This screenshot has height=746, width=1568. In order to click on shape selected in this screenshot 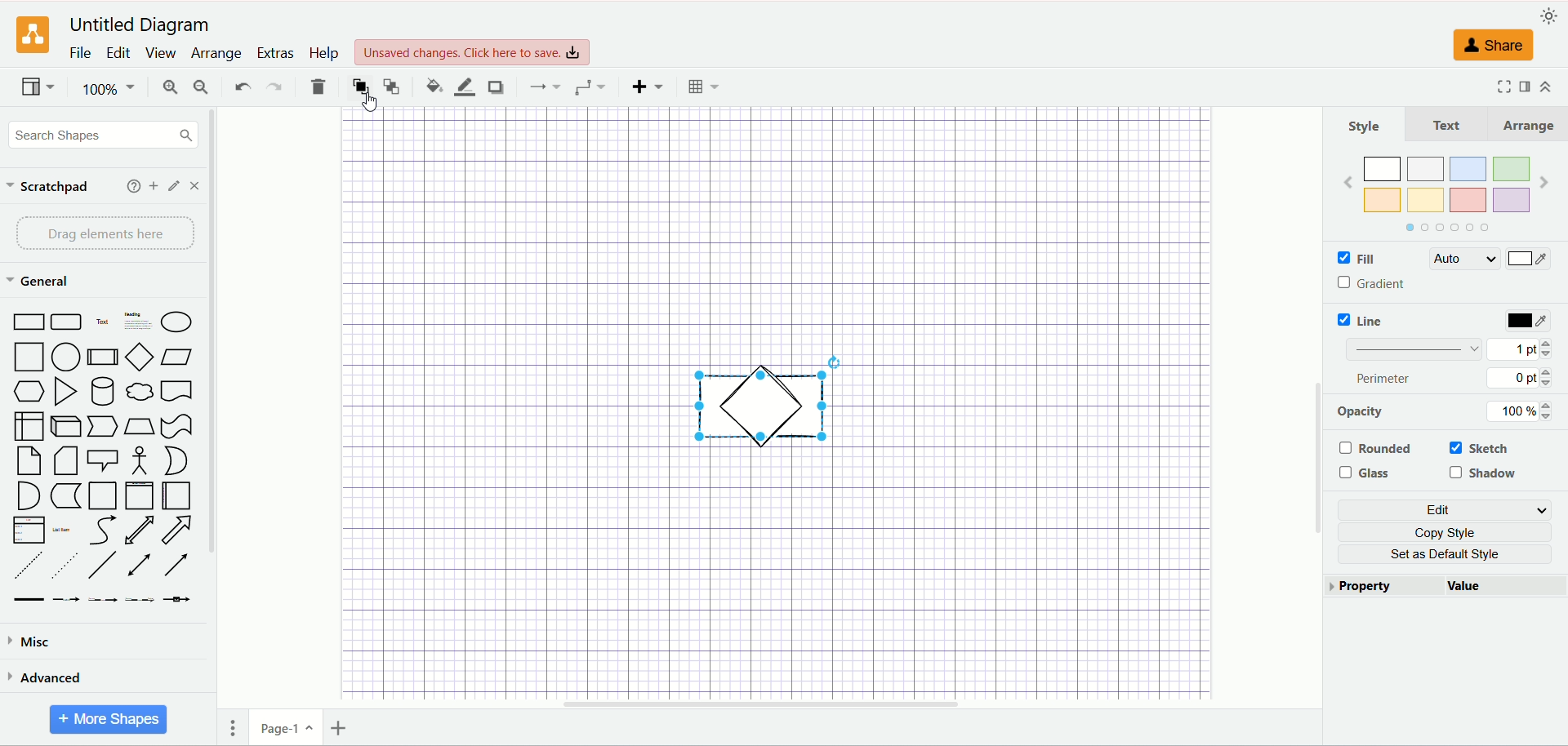, I will do `click(762, 400)`.